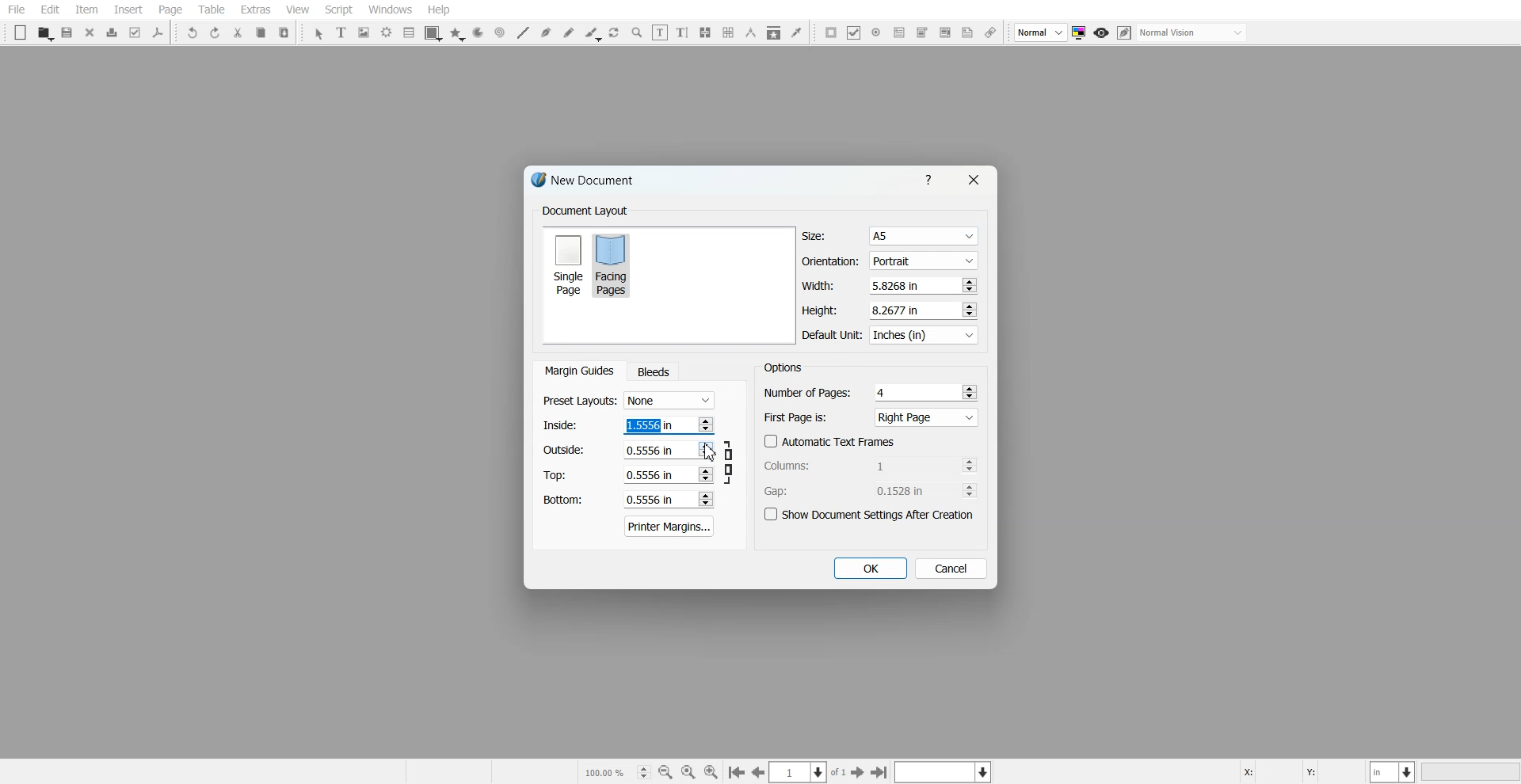 Image resolution: width=1521 pixels, height=784 pixels. Describe the element at coordinates (90, 32) in the screenshot. I see `Close` at that location.